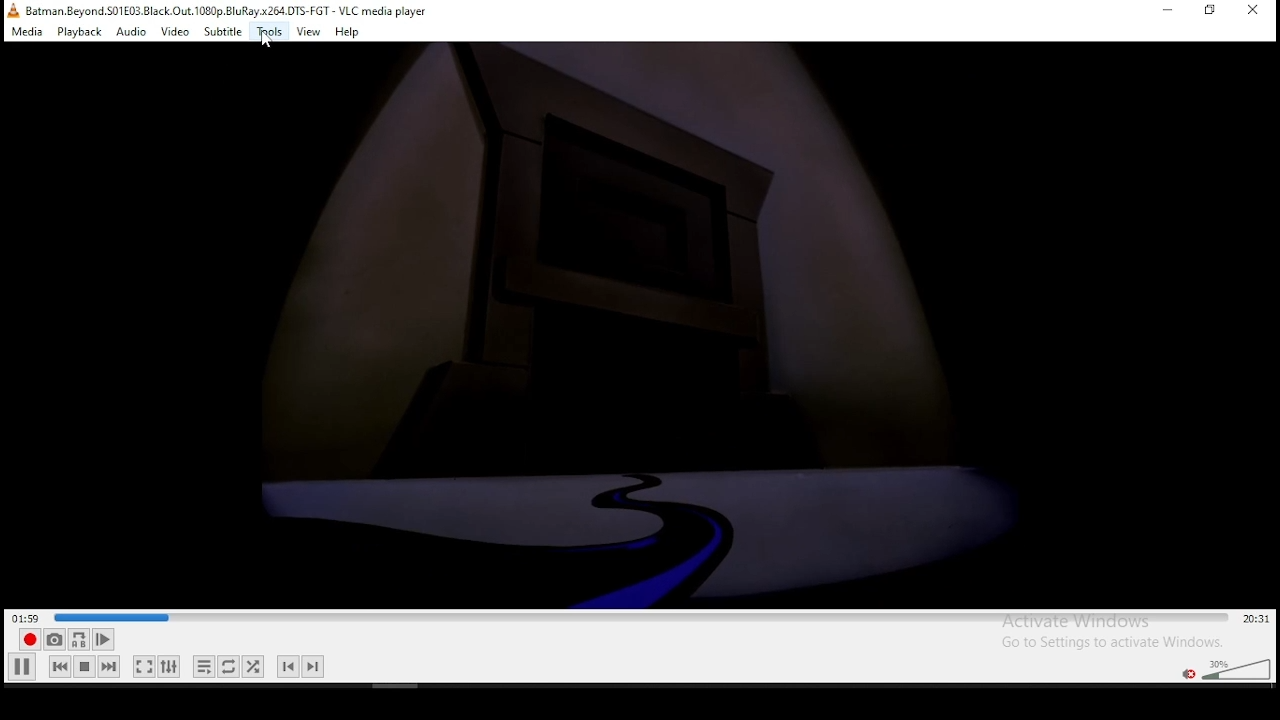 Image resolution: width=1280 pixels, height=720 pixels. I want to click on seek bar, so click(643, 618).